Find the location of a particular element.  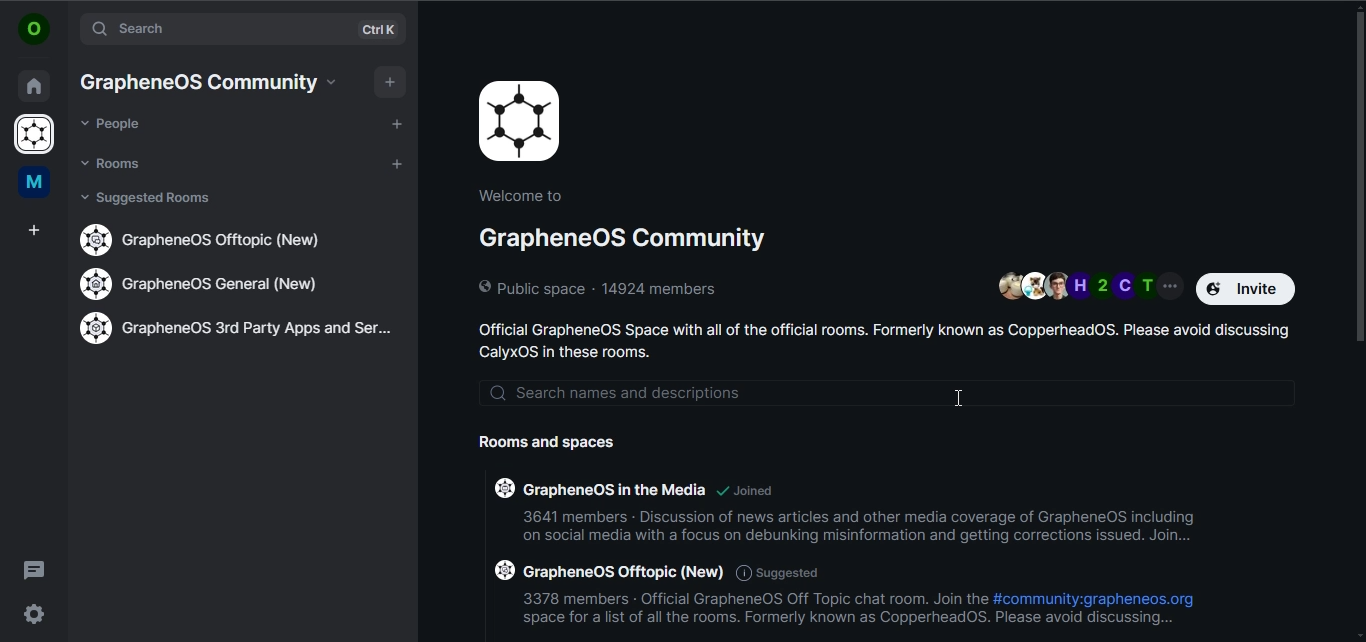

rooms and spaces is located at coordinates (558, 445).